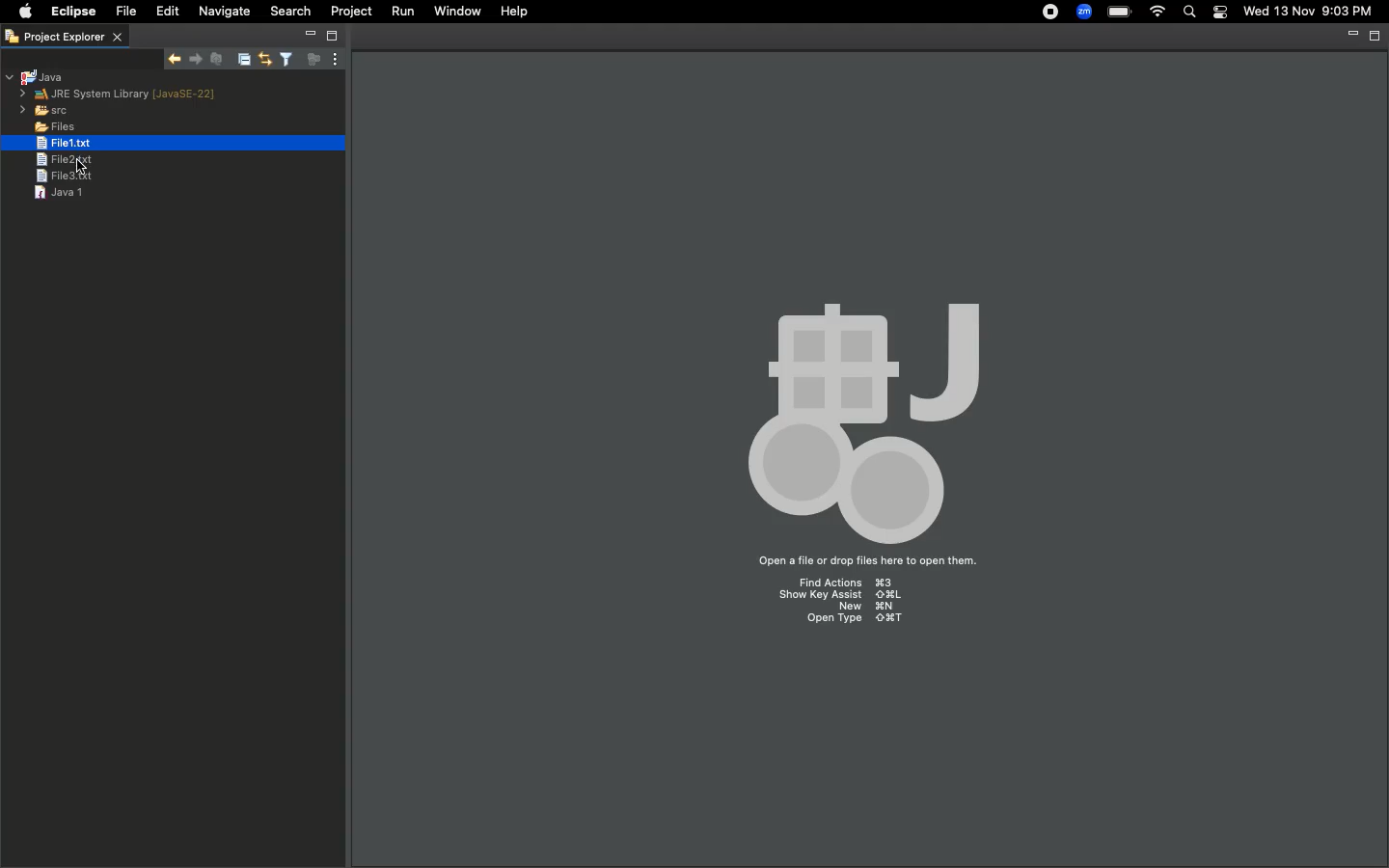 This screenshot has height=868, width=1389. Describe the element at coordinates (1348, 36) in the screenshot. I see `Minimize` at that location.